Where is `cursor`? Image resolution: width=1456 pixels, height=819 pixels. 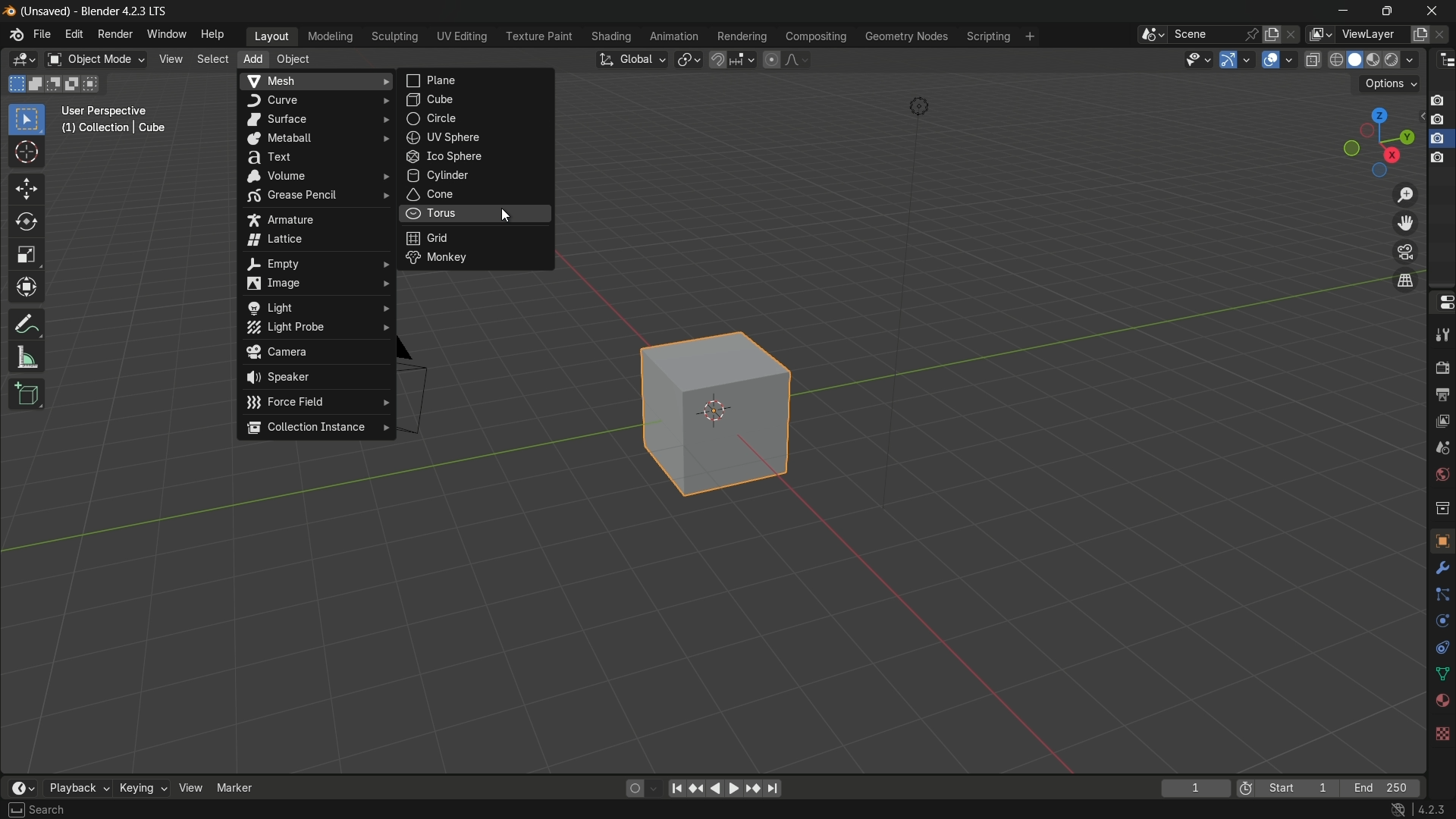
cursor is located at coordinates (27, 153).